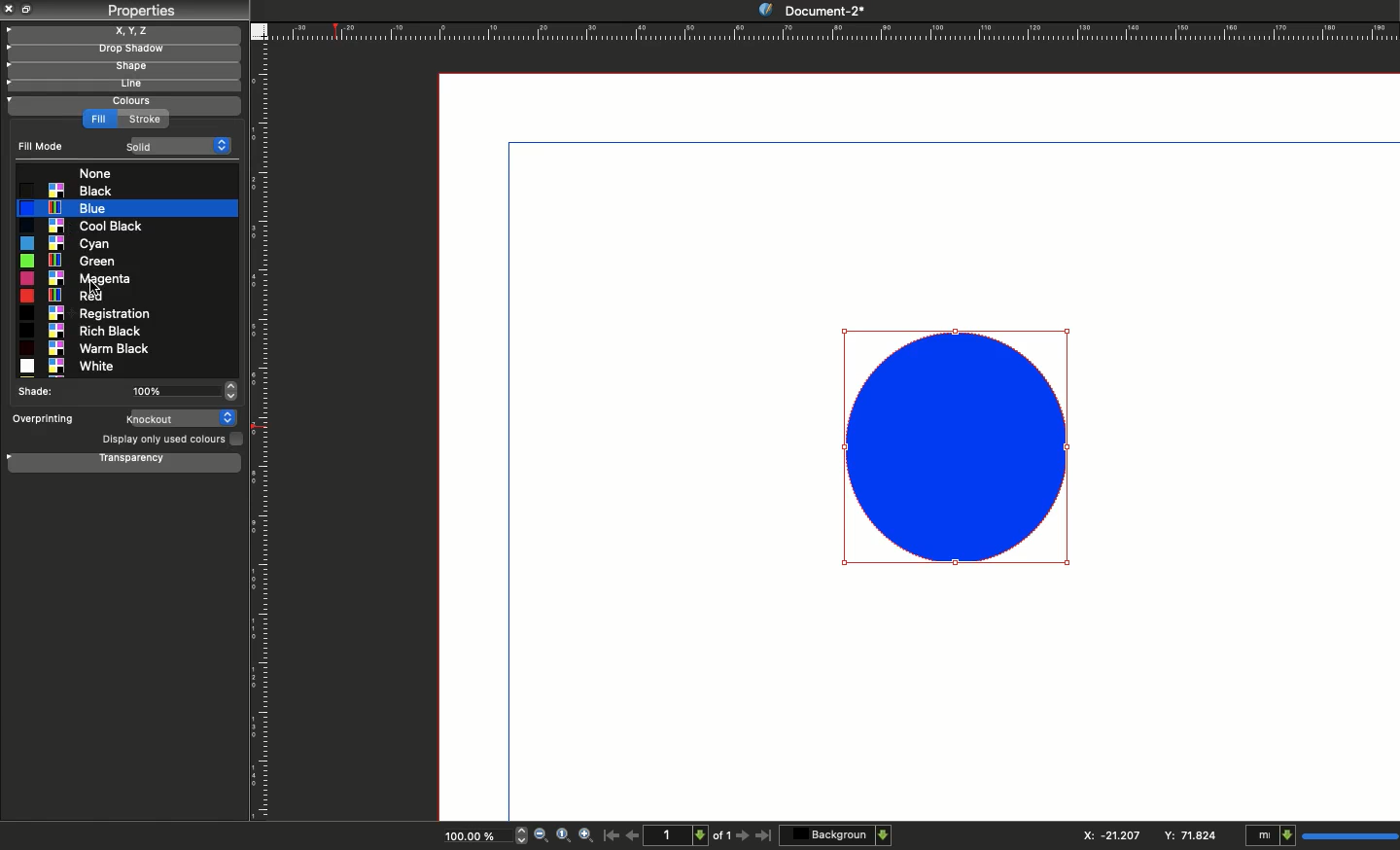 The width and height of the screenshot is (1400, 850). Describe the element at coordinates (122, 103) in the screenshot. I see `Colors` at that location.